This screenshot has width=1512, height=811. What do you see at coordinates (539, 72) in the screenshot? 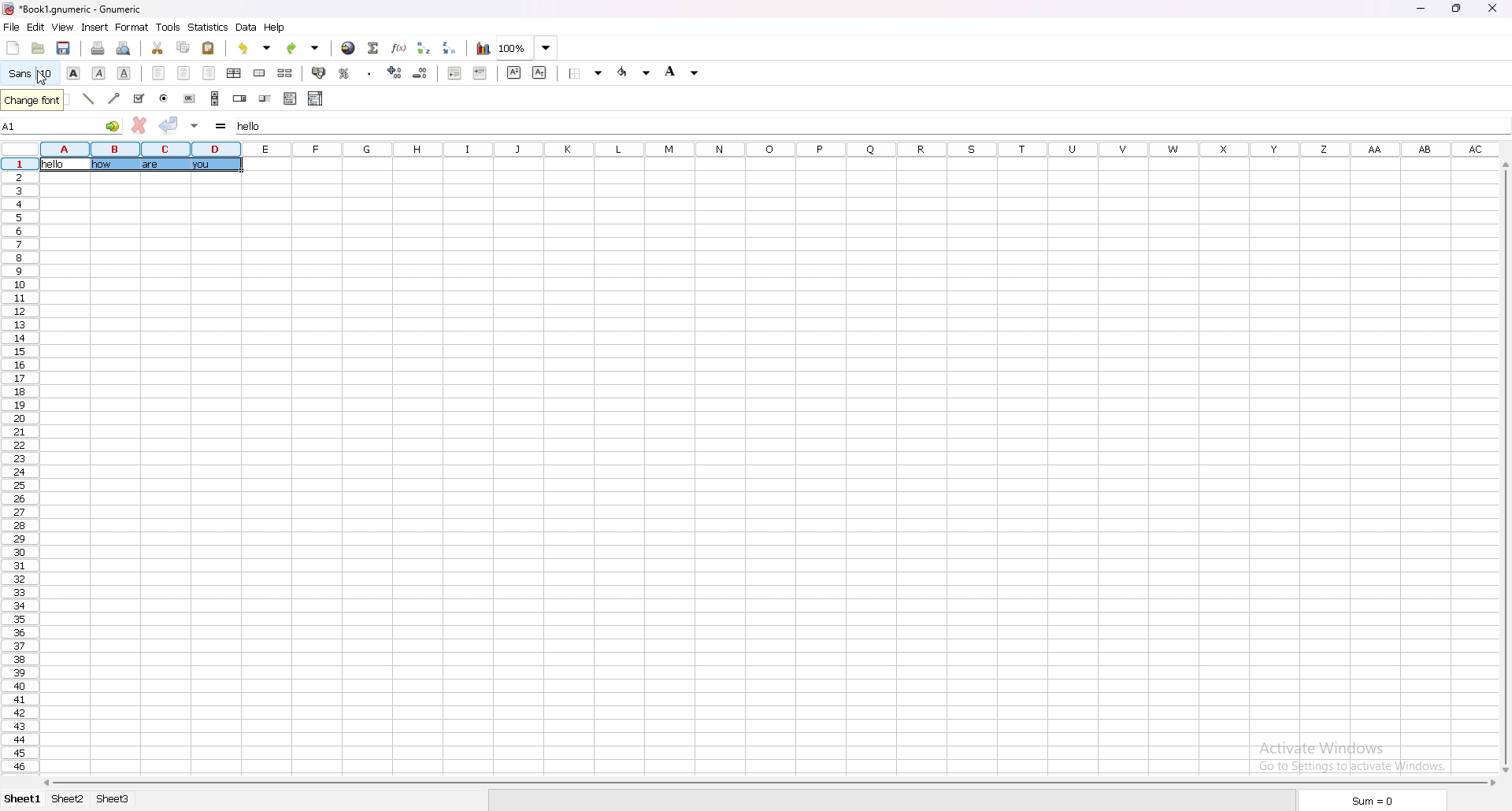
I see `subscript` at bounding box center [539, 72].